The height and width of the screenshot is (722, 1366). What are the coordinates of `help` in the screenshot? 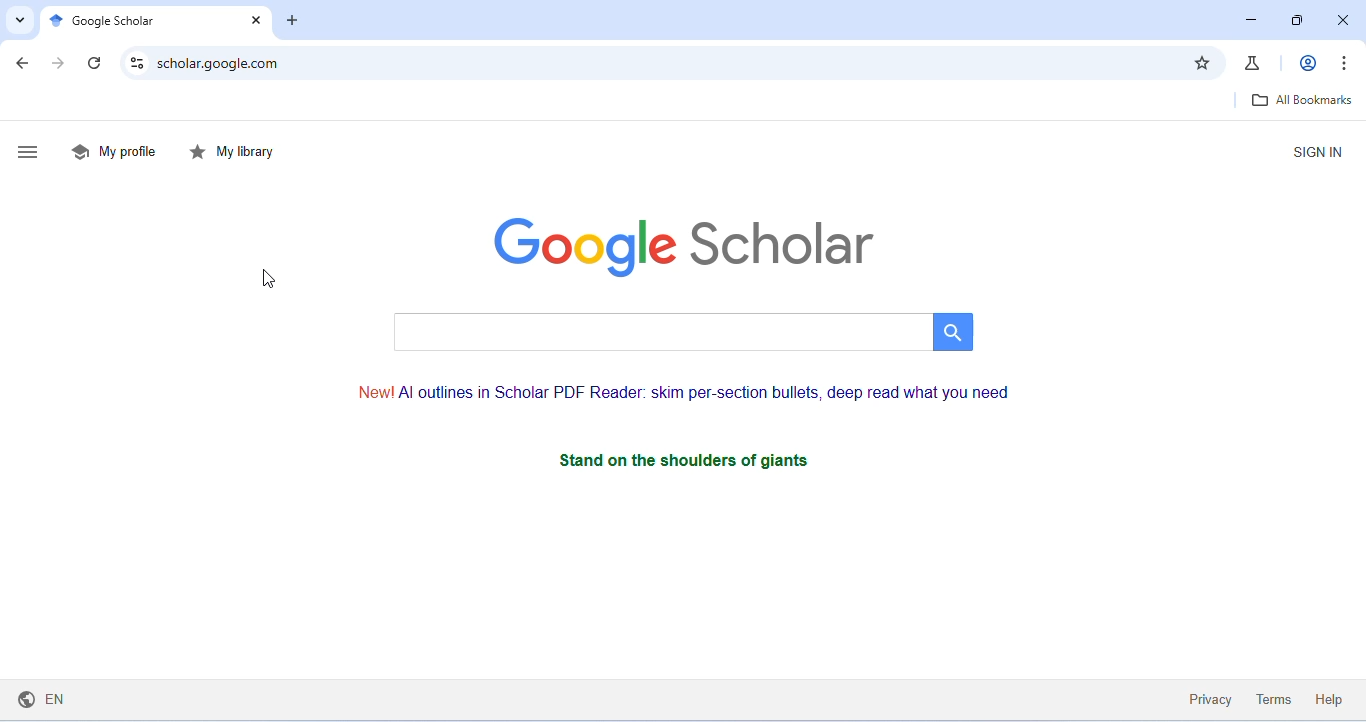 It's located at (1330, 699).